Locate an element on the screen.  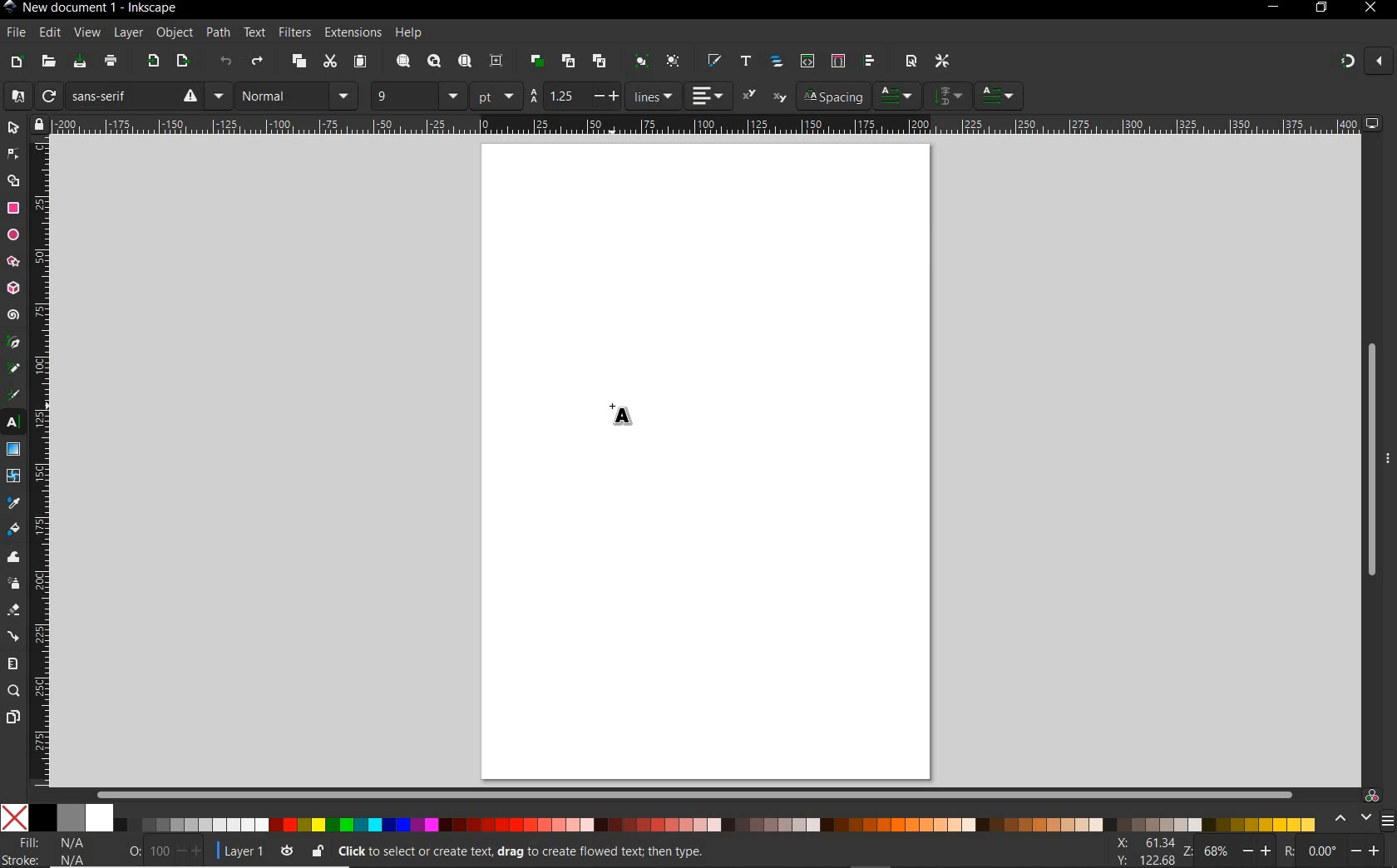
refresh is located at coordinates (47, 96).